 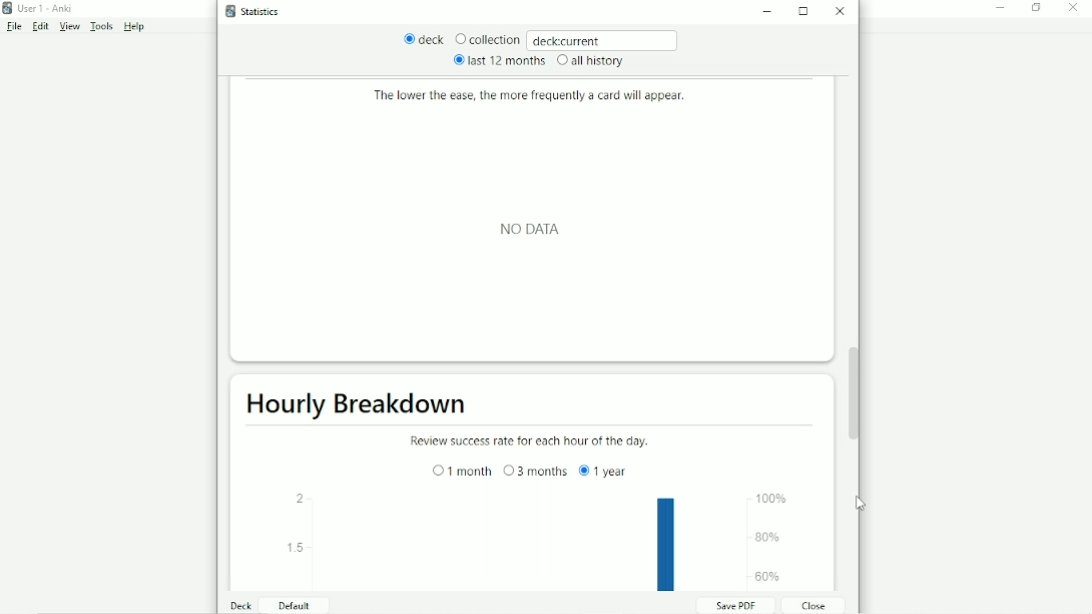 I want to click on Deck, so click(x=242, y=605).